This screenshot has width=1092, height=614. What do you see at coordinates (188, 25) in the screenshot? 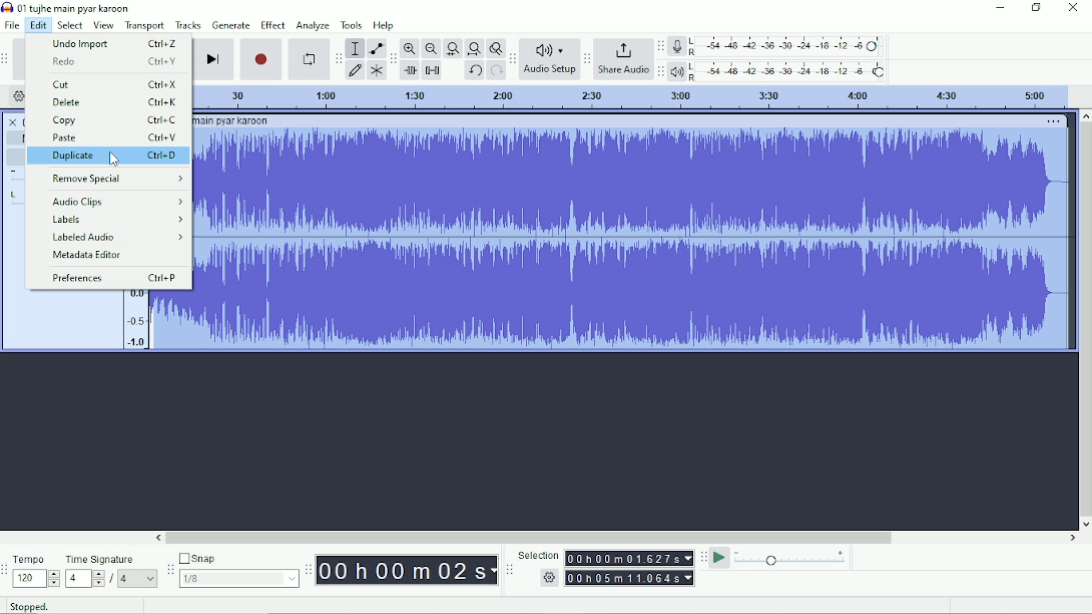
I see `Tracks` at bounding box center [188, 25].